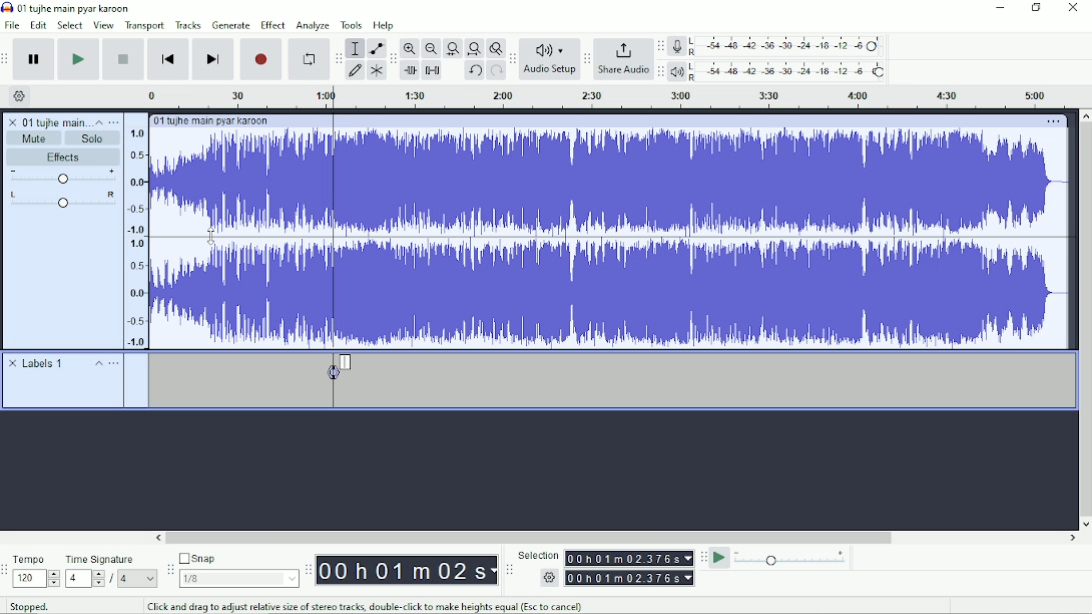 This screenshot has height=614, width=1092. I want to click on Fit selection to width, so click(452, 49).